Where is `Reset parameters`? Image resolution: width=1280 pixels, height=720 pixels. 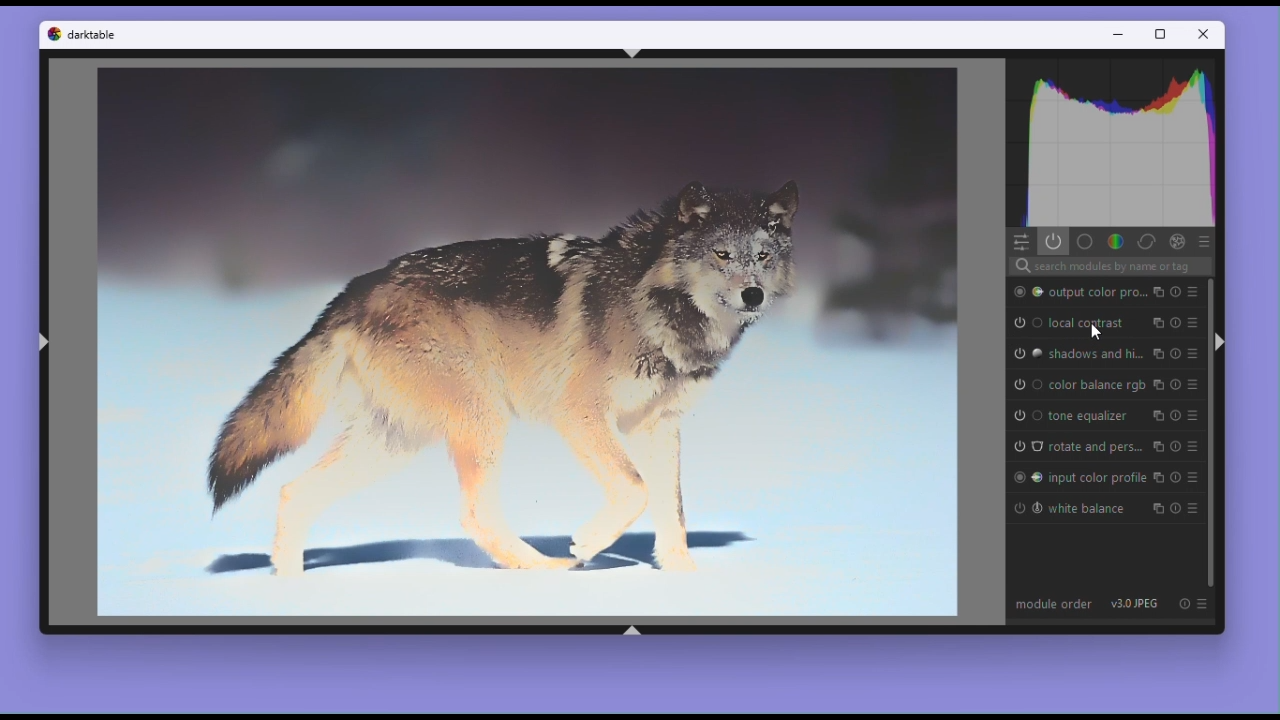
Reset parameters is located at coordinates (1178, 384).